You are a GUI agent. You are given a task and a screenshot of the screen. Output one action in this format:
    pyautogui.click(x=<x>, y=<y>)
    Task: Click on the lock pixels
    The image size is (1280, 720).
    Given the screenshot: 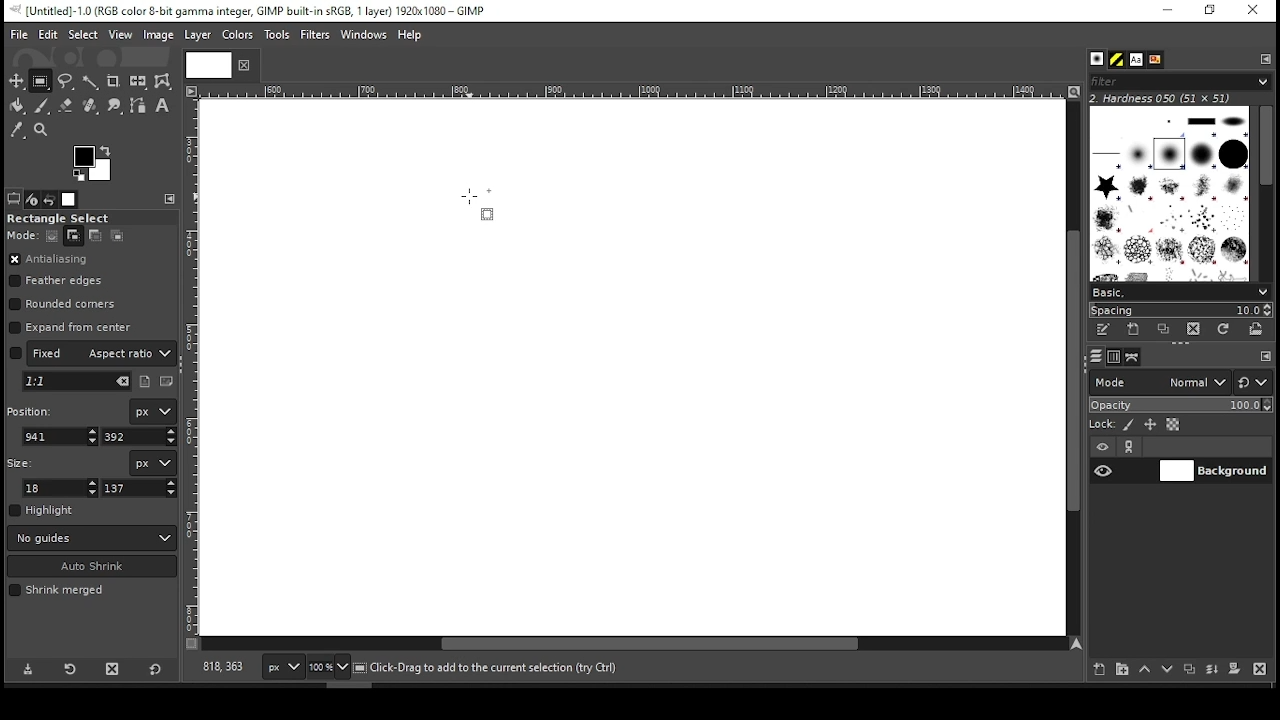 What is the action you would take?
    pyautogui.click(x=1132, y=425)
    